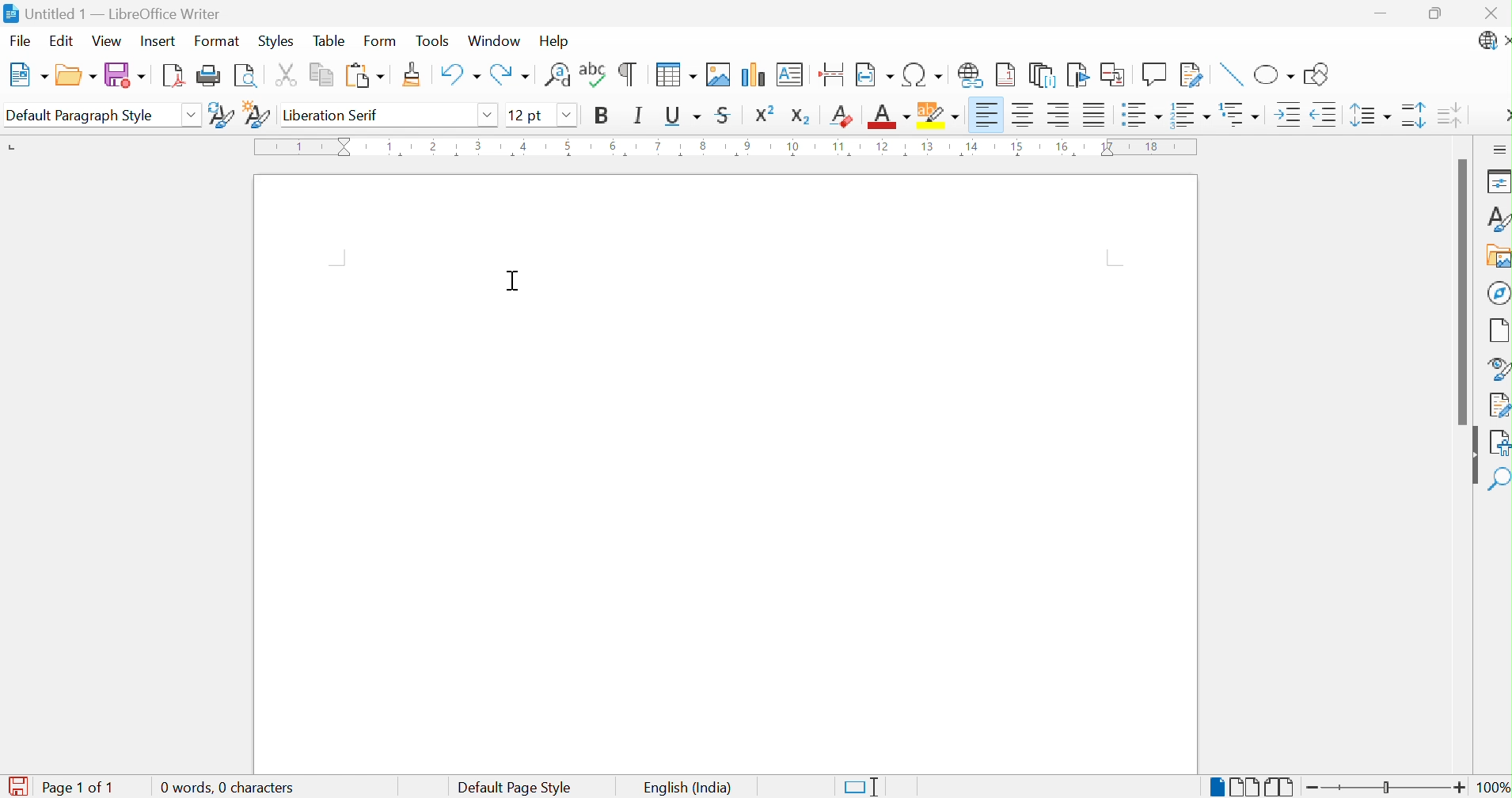 Image resolution: width=1512 pixels, height=798 pixels. I want to click on Insert Comment, so click(1155, 74).